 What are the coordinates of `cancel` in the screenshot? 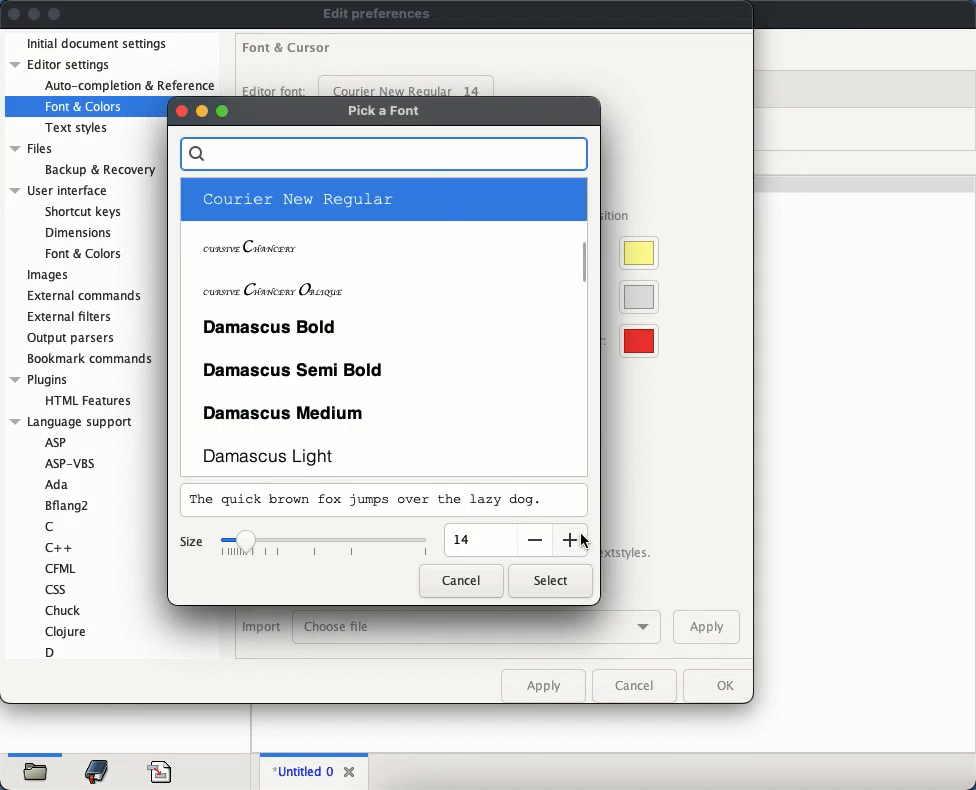 It's located at (462, 580).